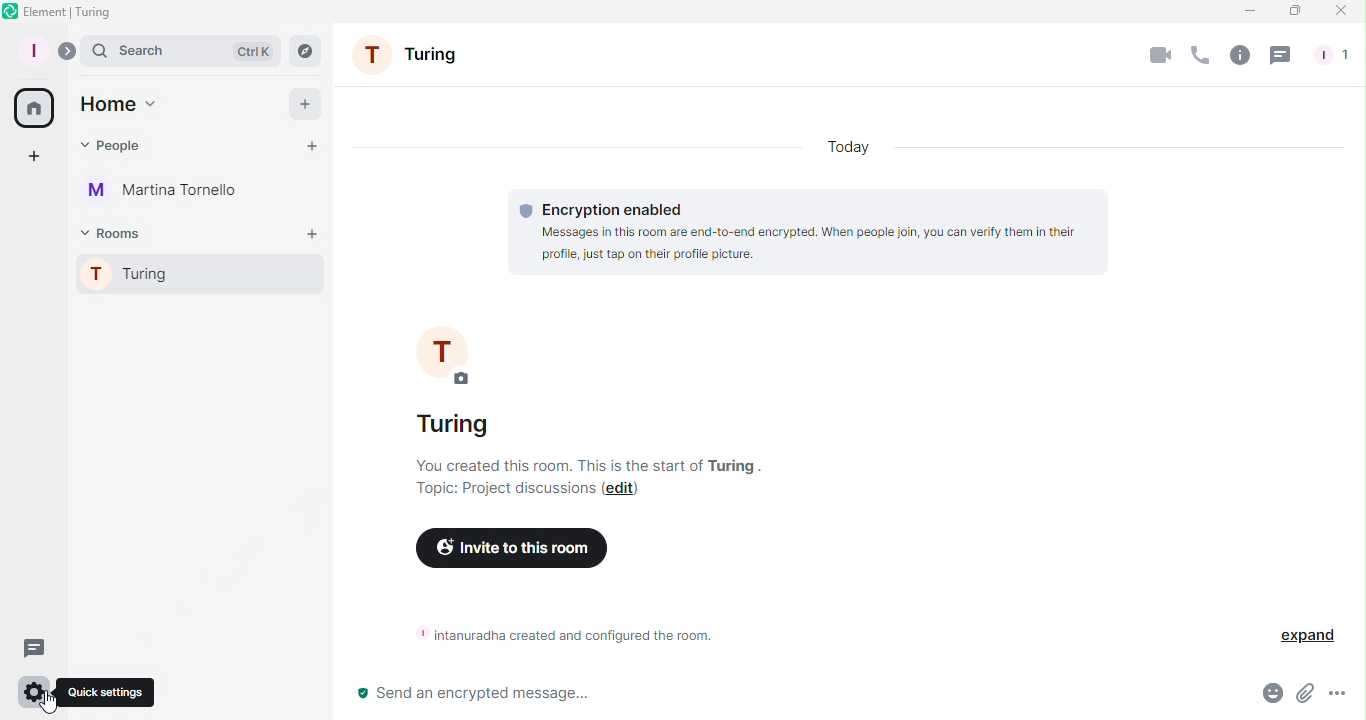  I want to click on Quick settings, so click(35, 696).